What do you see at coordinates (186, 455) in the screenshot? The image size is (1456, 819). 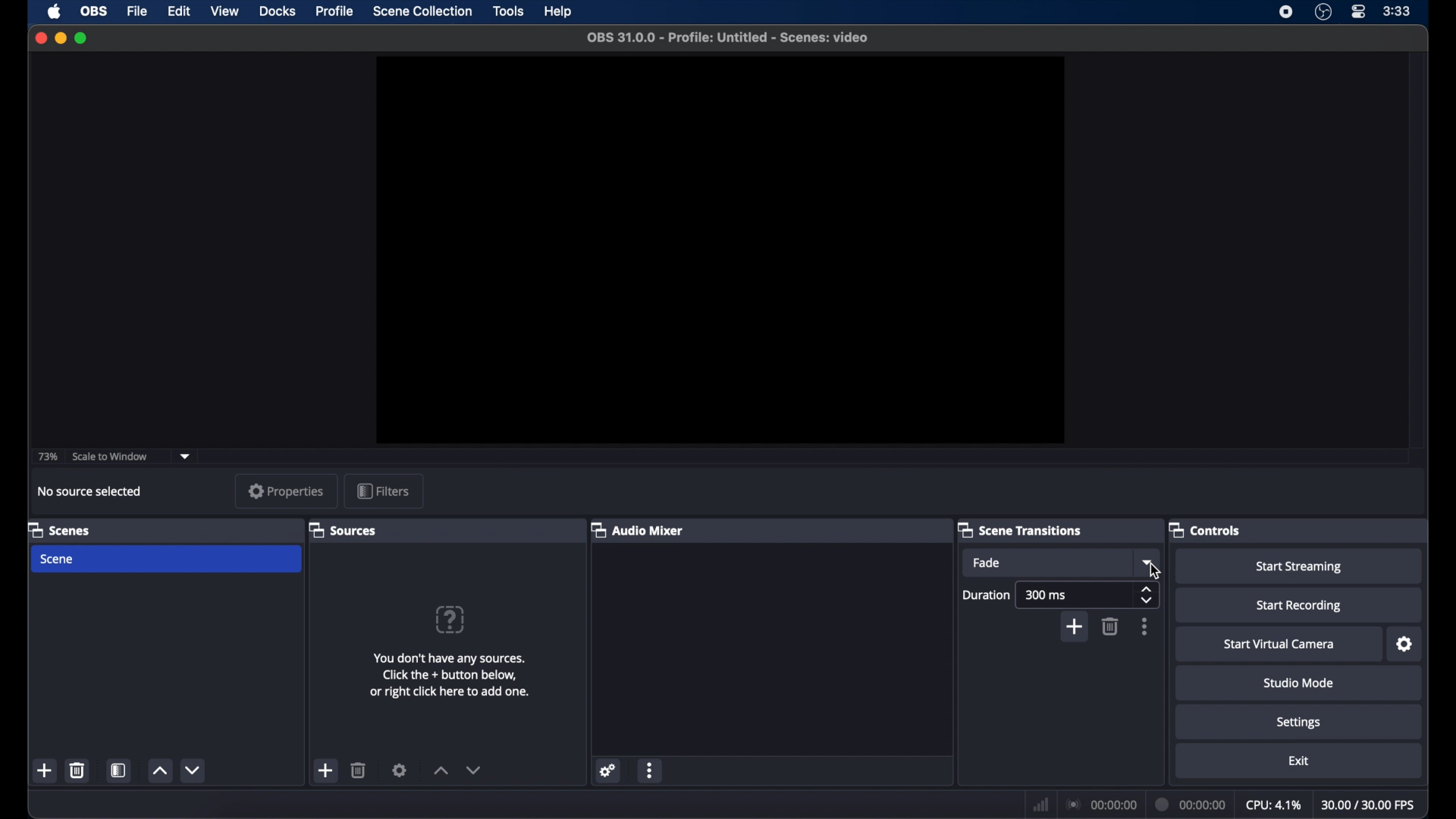 I see `dropdown` at bounding box center [186, 455].